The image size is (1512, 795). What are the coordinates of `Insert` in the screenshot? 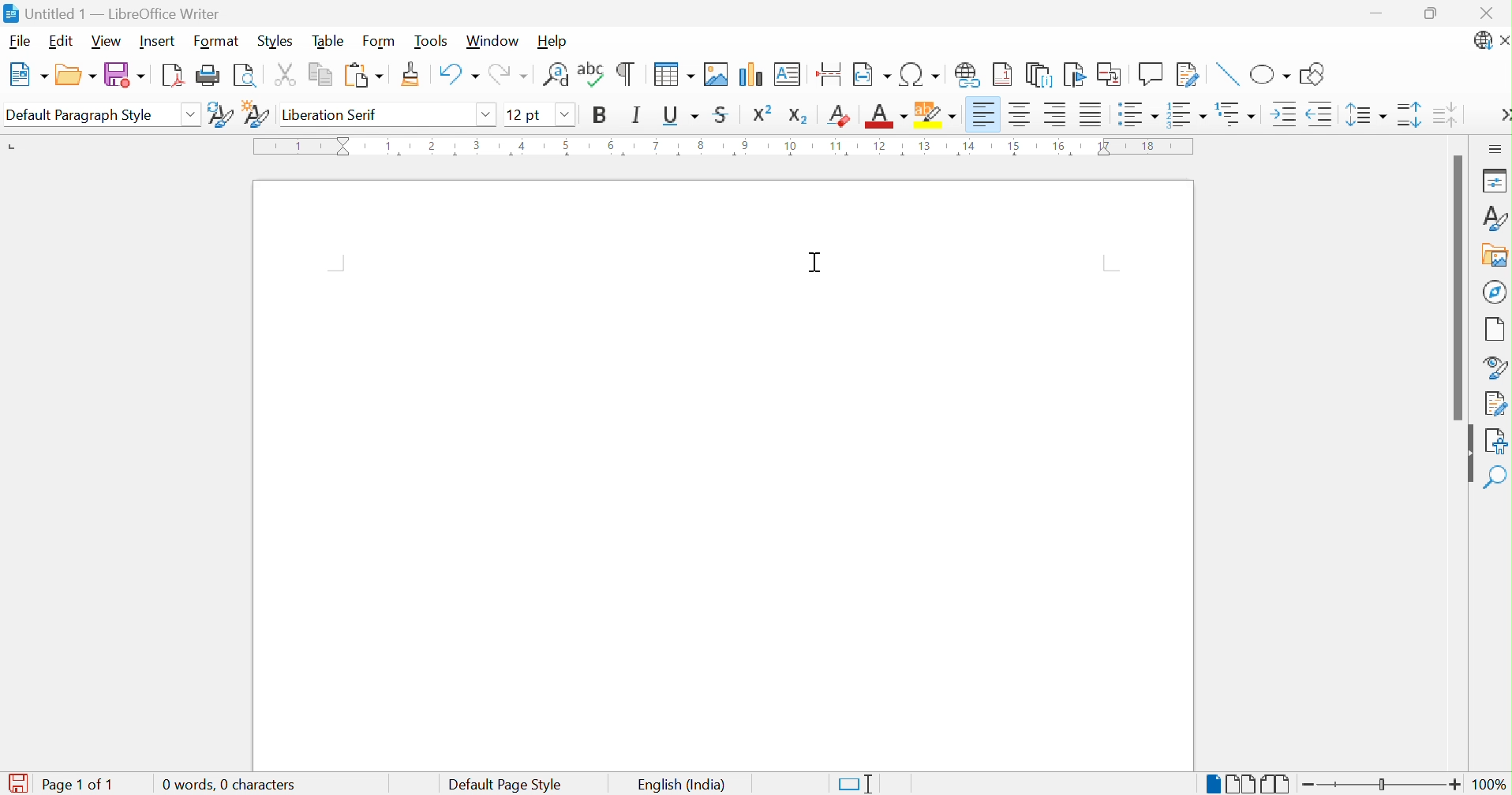 It's located at (156, 41).